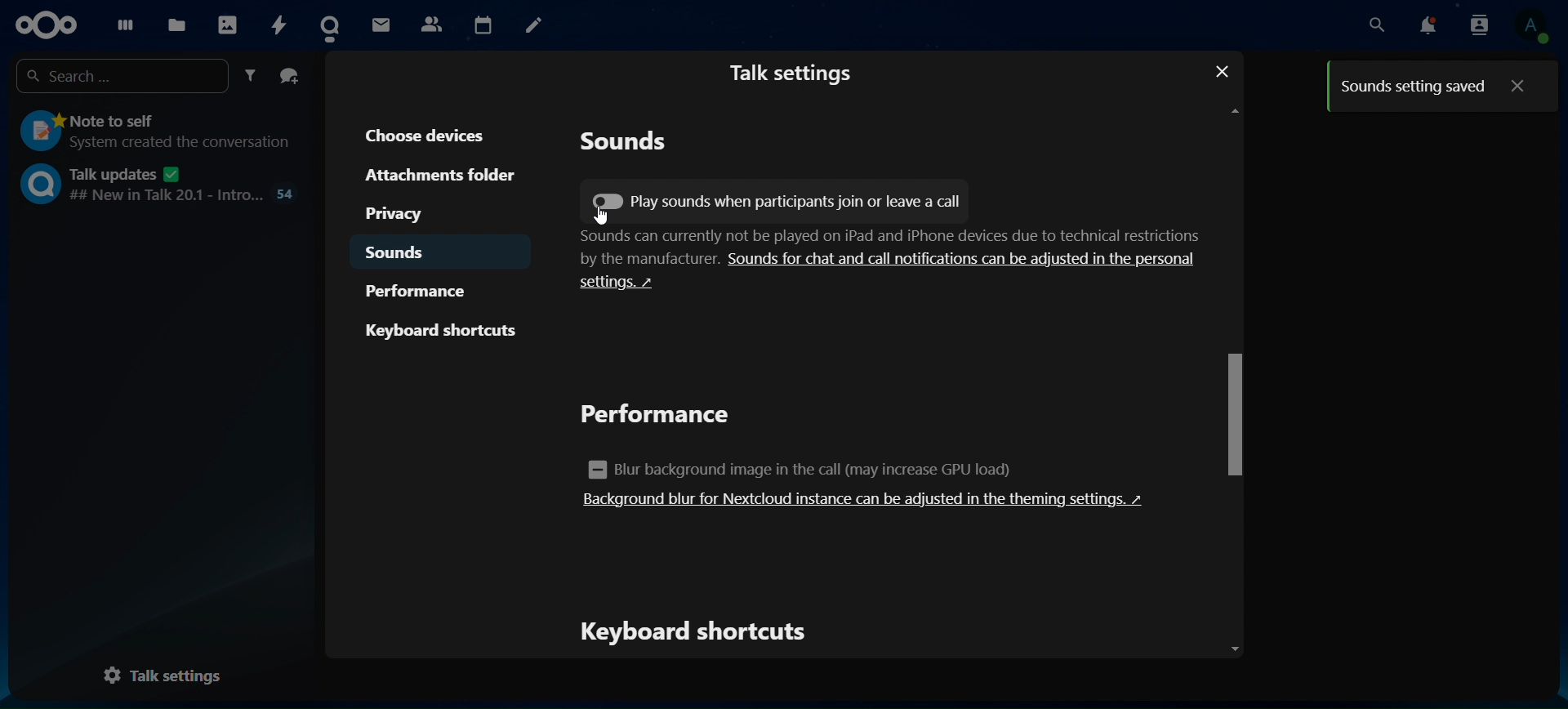 This screenshot has width=1568, height=709. Describe the element at coordinates (442, 330) in the screenshot. I see `keyboard shortcuts` at that location.